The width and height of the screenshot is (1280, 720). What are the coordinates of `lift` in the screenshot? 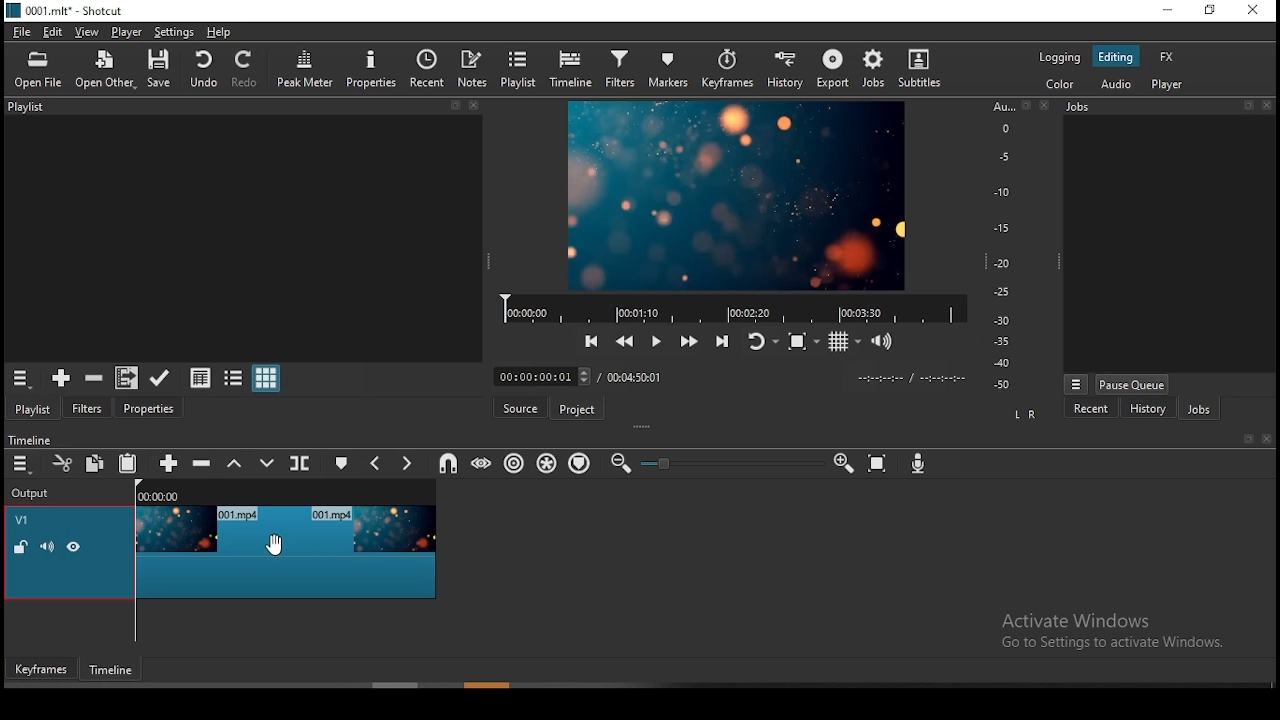 It's located at (237, 465).